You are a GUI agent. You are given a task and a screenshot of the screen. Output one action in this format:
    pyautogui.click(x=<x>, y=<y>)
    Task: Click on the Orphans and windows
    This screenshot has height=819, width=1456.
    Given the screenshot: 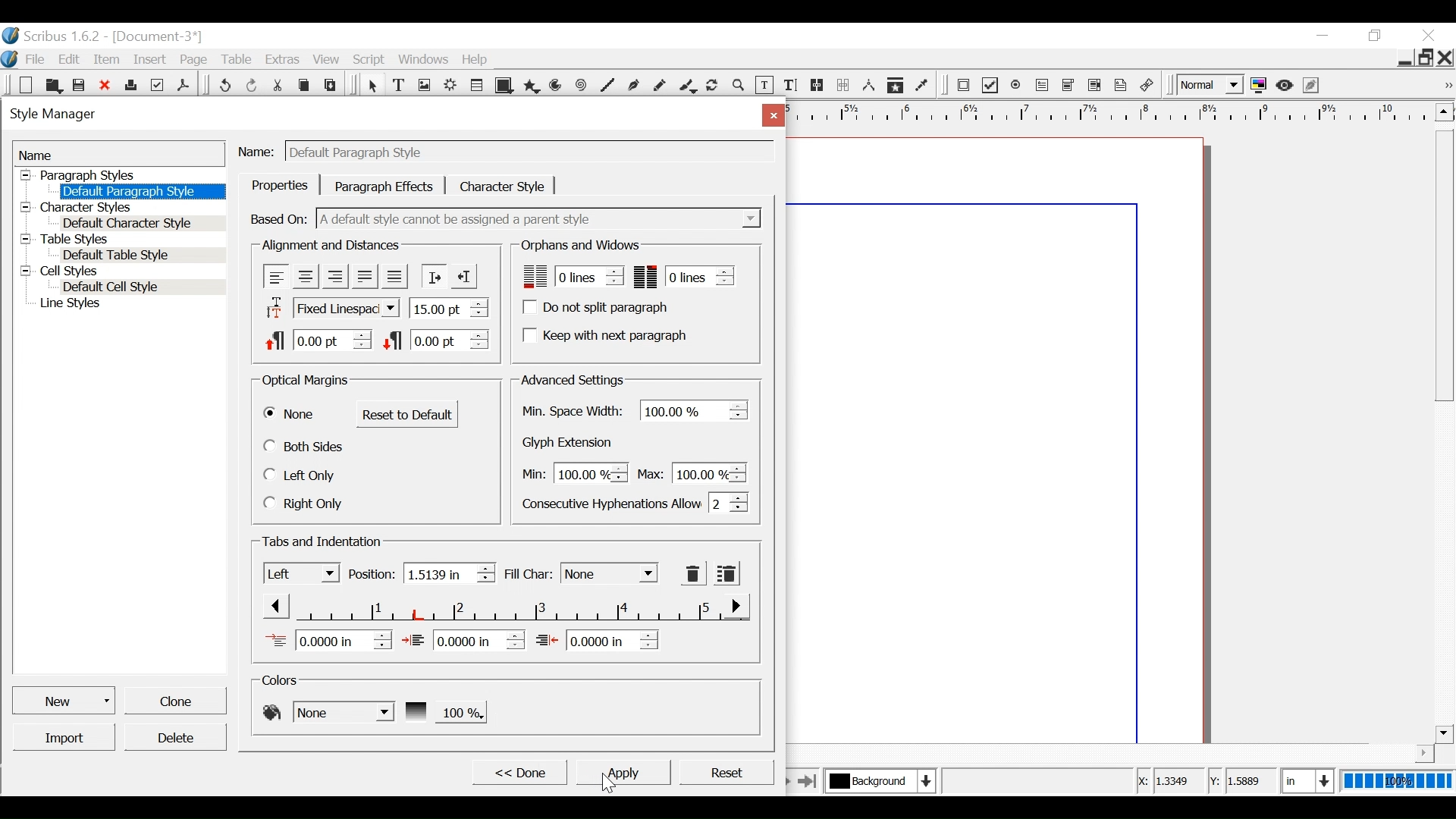 What is the action you would take?
    pyautogui.click(x=579, y=246)
    